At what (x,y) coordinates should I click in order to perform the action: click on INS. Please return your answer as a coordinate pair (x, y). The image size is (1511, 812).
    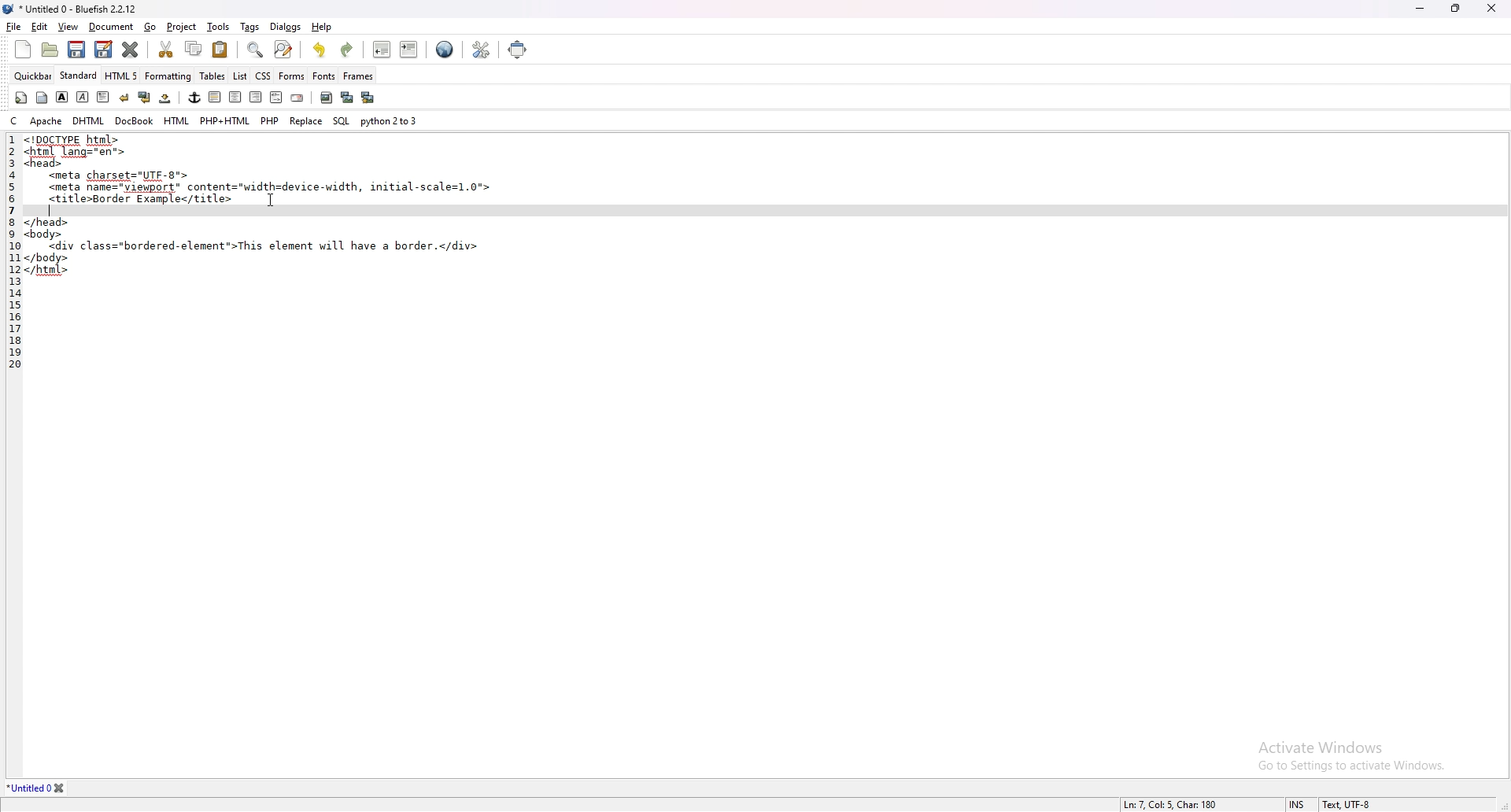
    Looking at the image, I should click on (1299, 804).